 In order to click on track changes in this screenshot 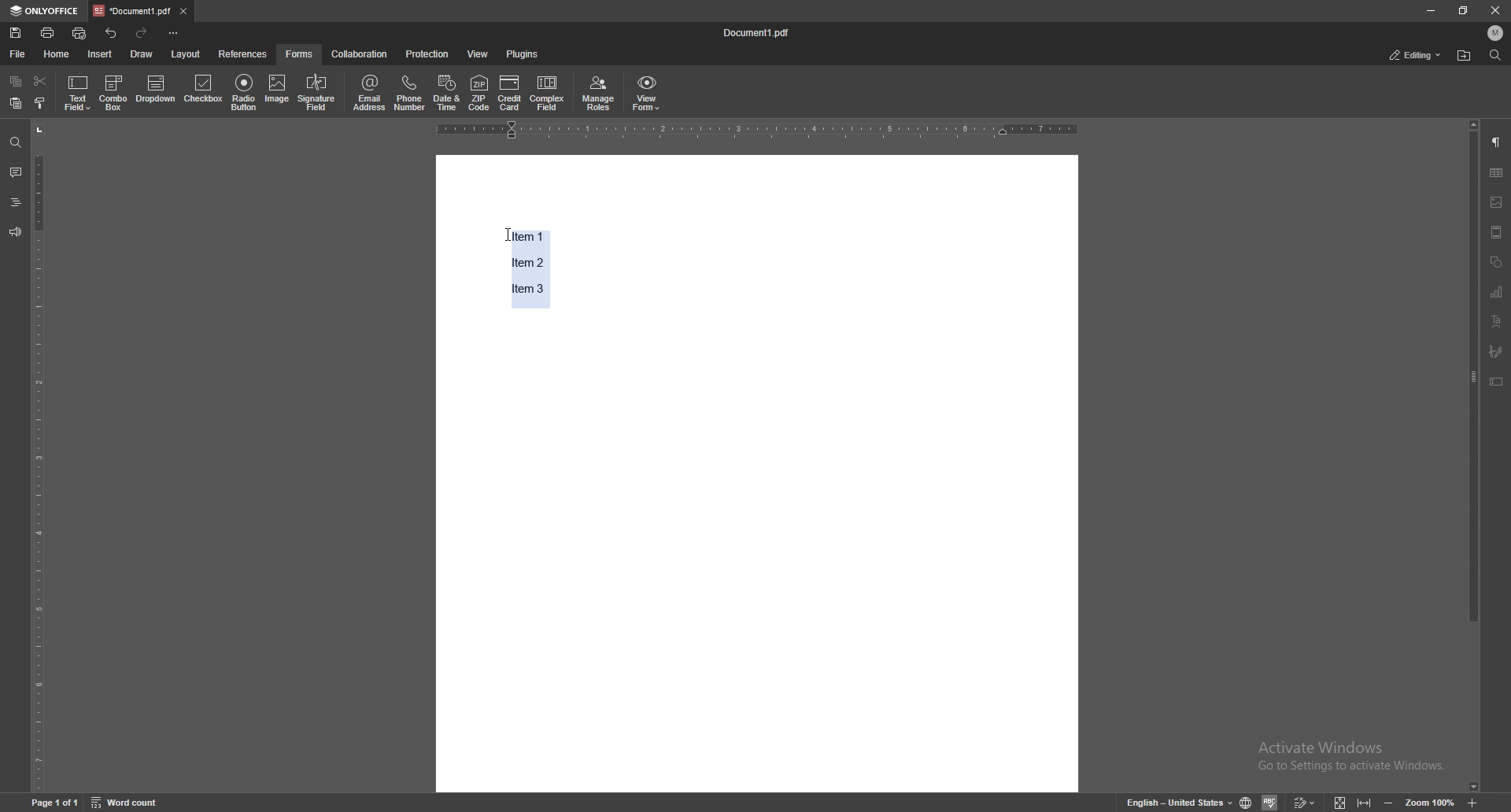, I will do `click(1304, 801)`.